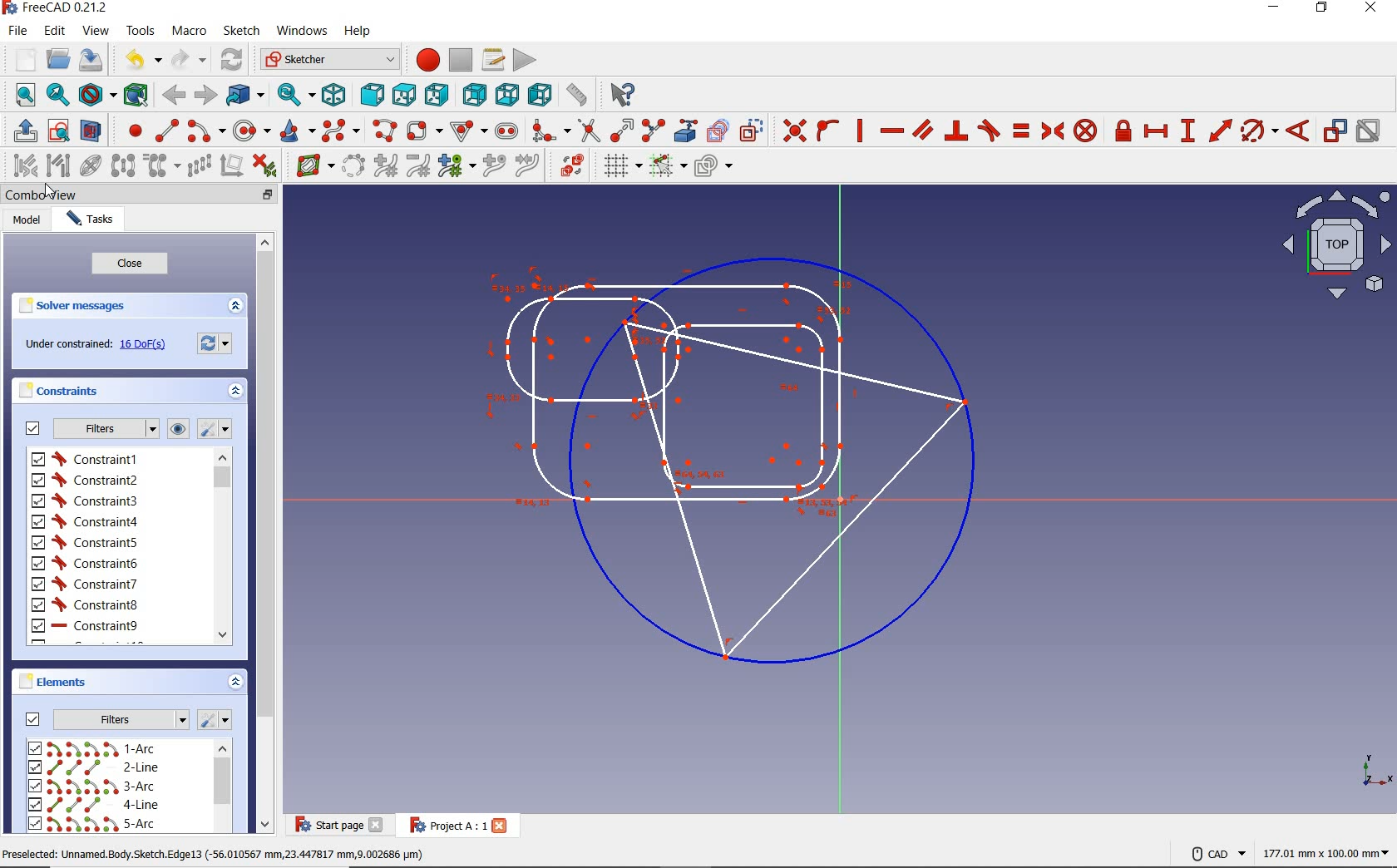  I want to click on project A:1, so click(442, 825).